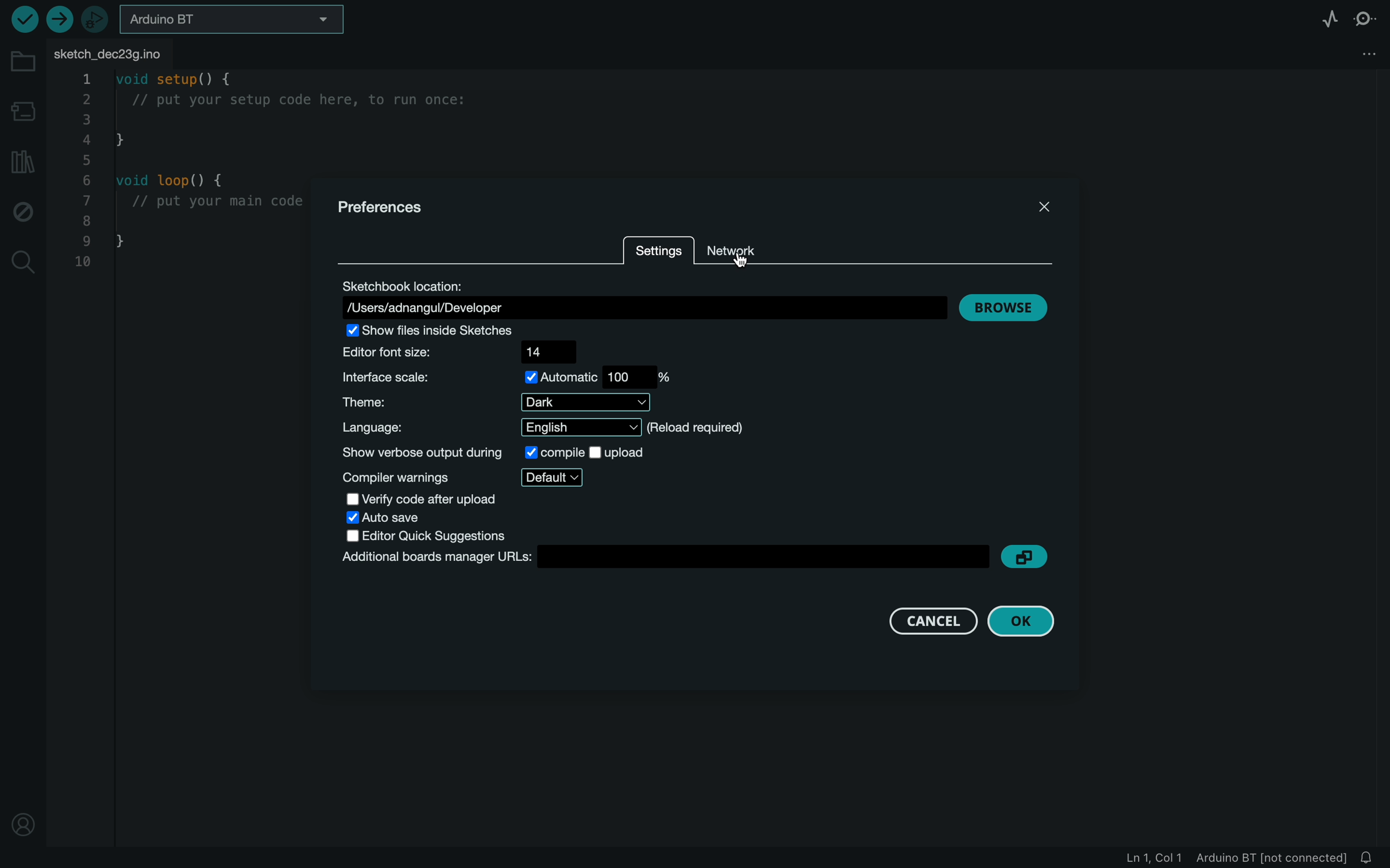 The height and width of the screenshot is (868, 1390). I want to click on file information, so click(1232, 858).